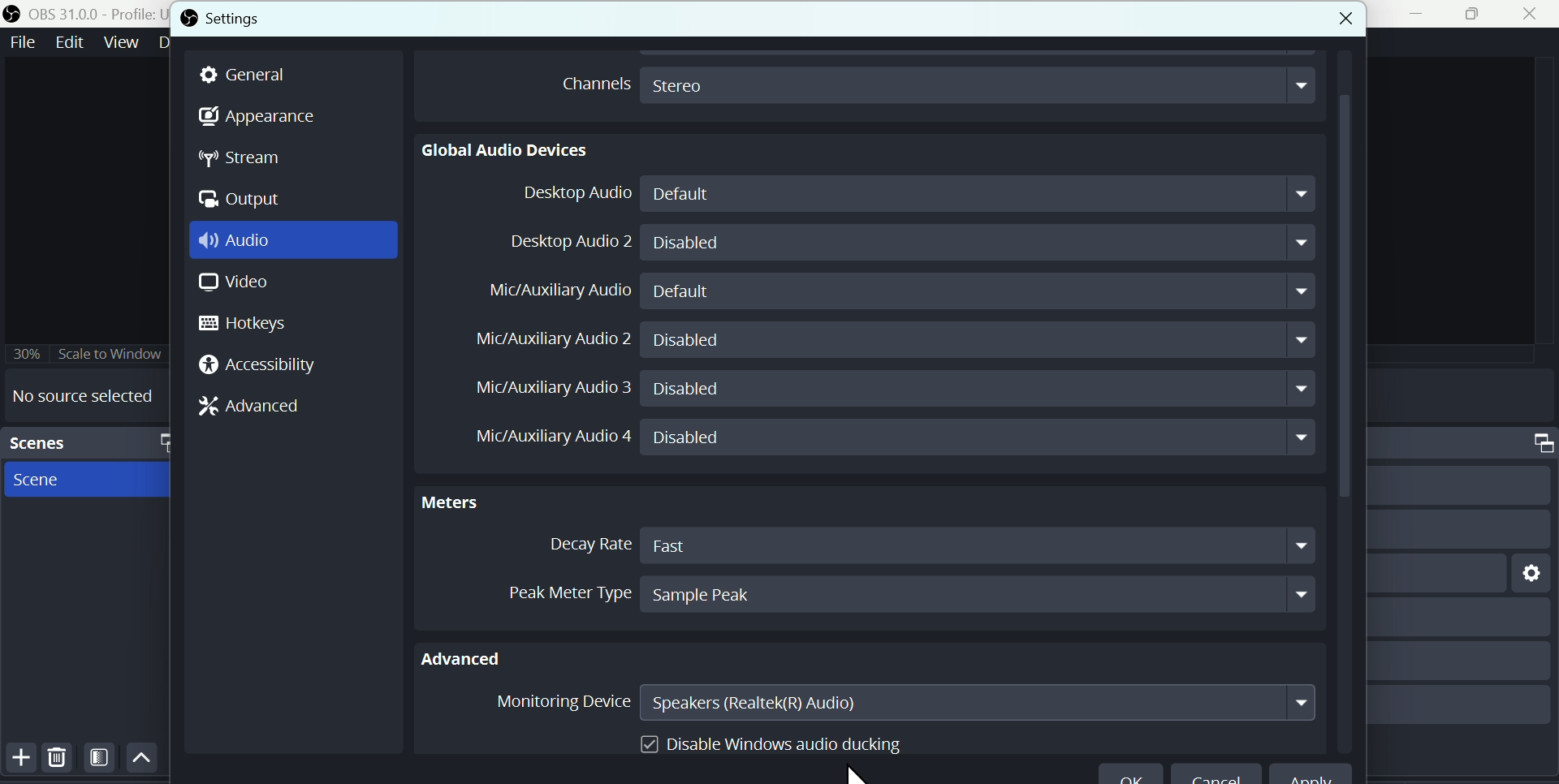 The height and width of the screenshot is (784, 1559). Describe the element at coordinates (979, 241) in the screenshot. I see `Disabled` at that location.